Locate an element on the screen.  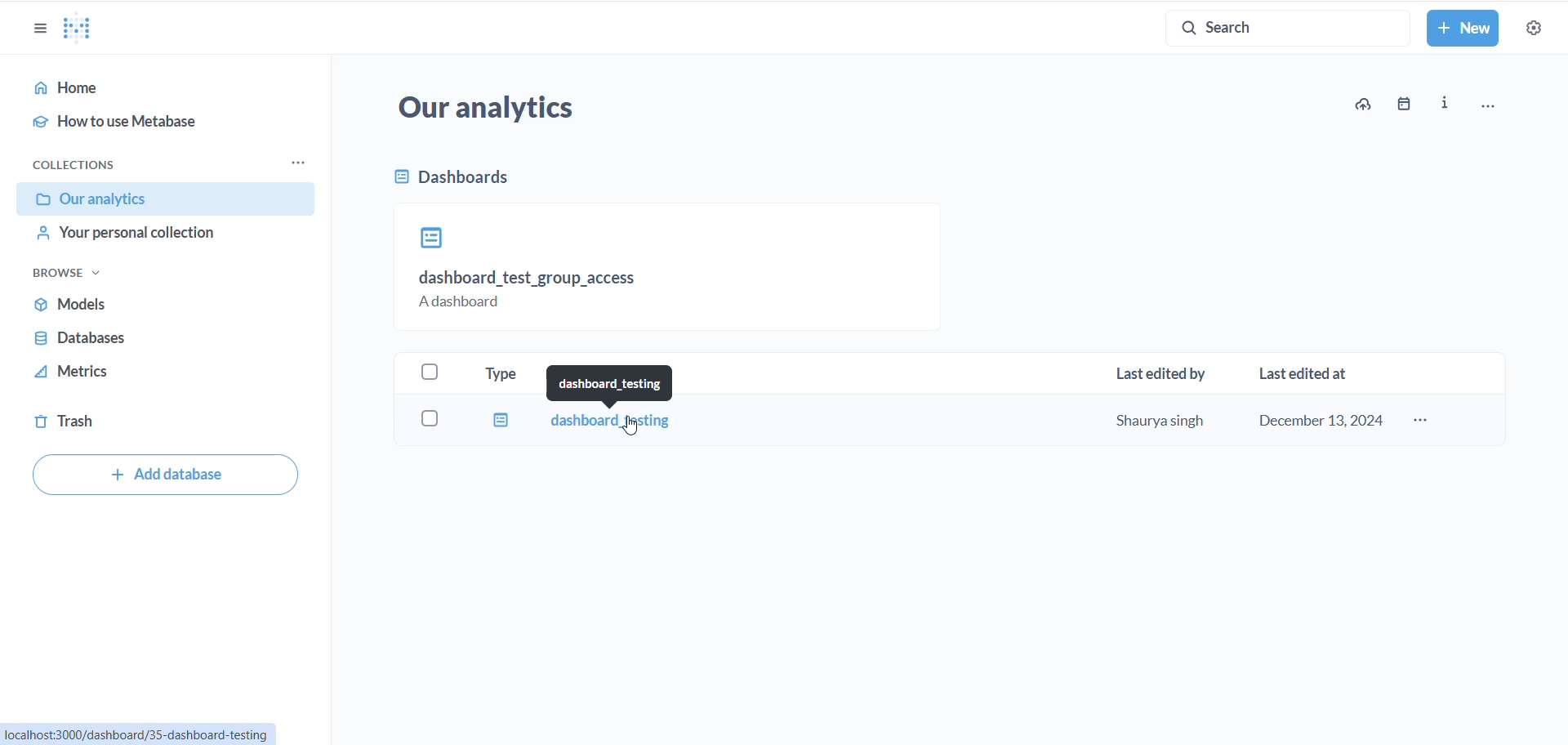
cursor is located at coordinates (109, 203).